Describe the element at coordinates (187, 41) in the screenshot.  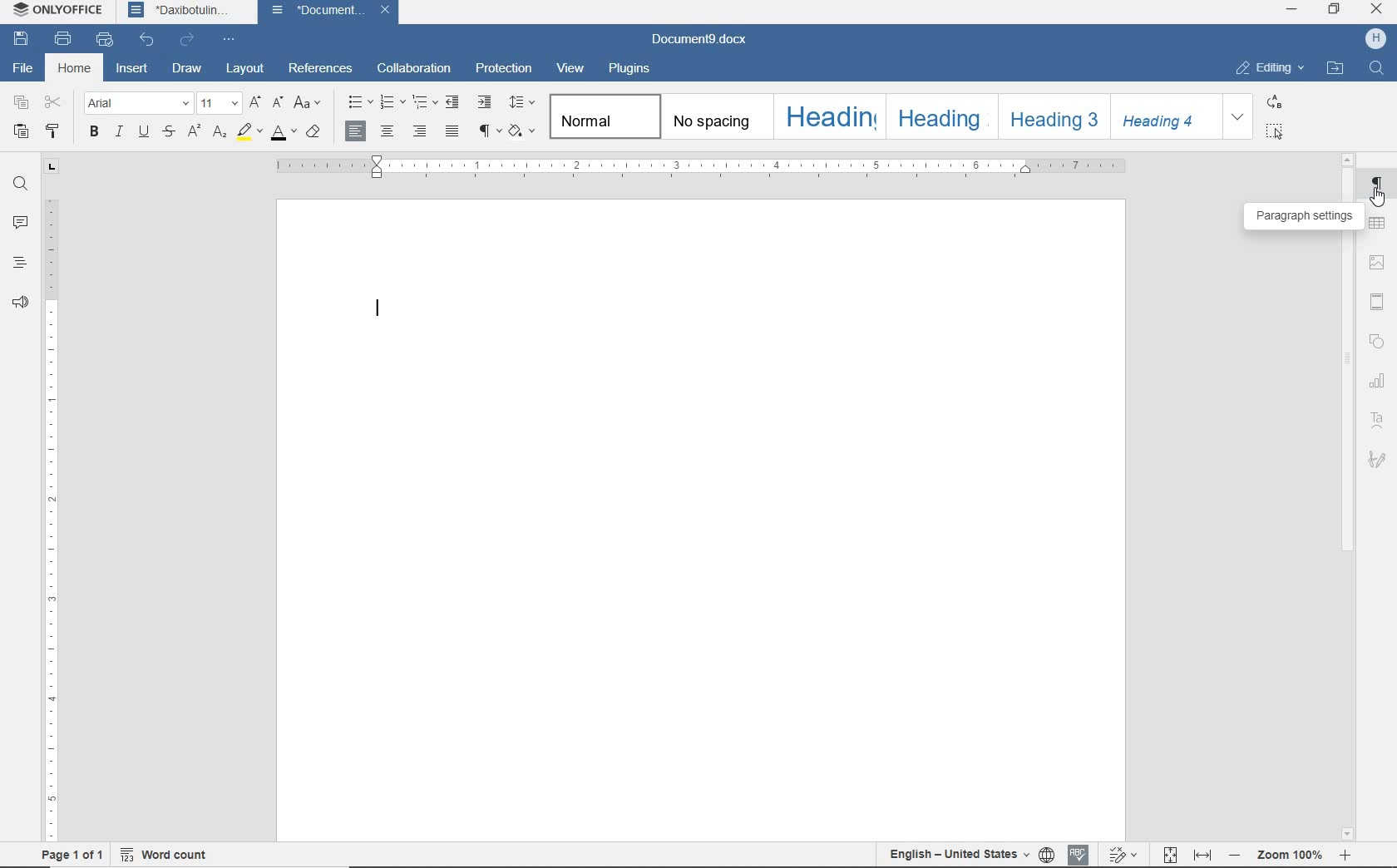
I see `redo` at that location.